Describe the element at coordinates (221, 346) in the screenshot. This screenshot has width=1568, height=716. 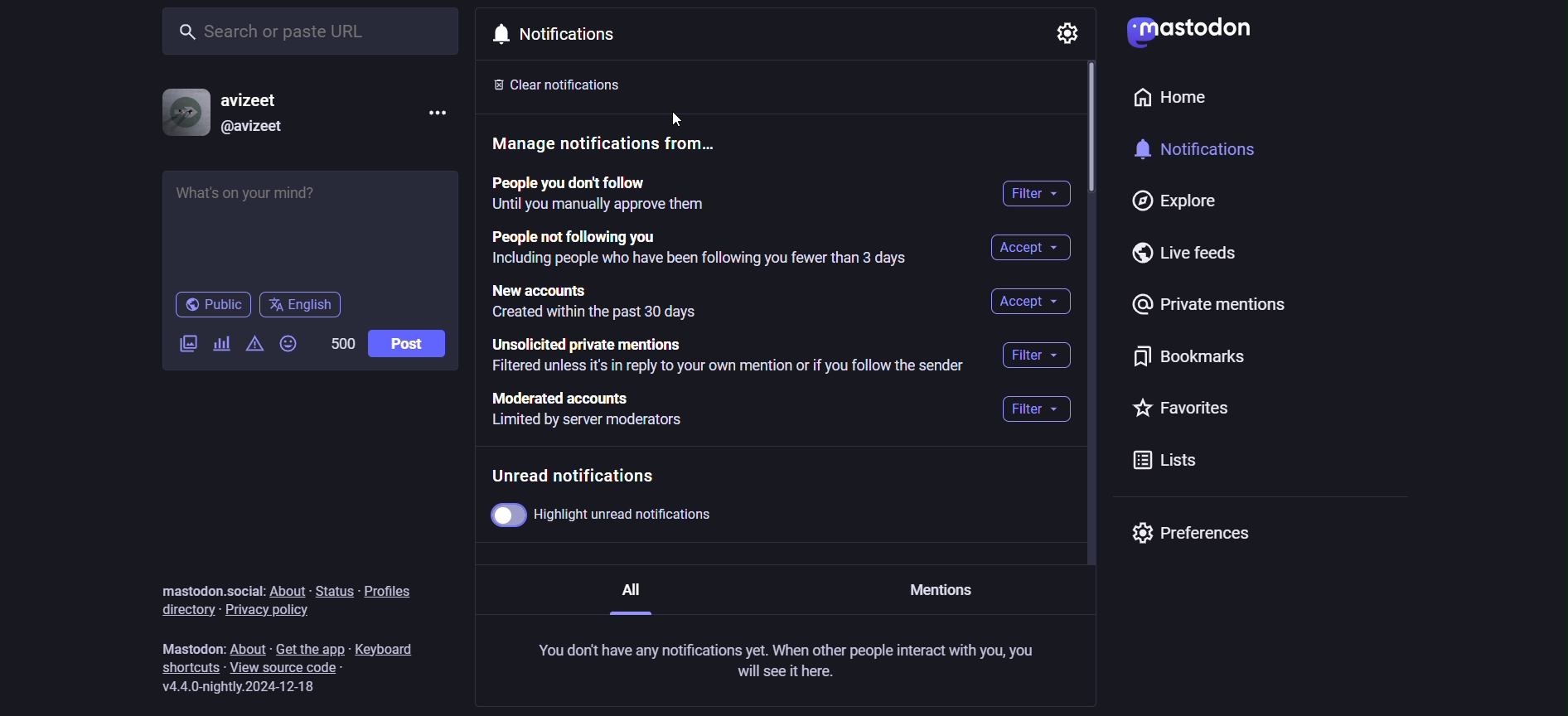
I see `add a poll` at that location.